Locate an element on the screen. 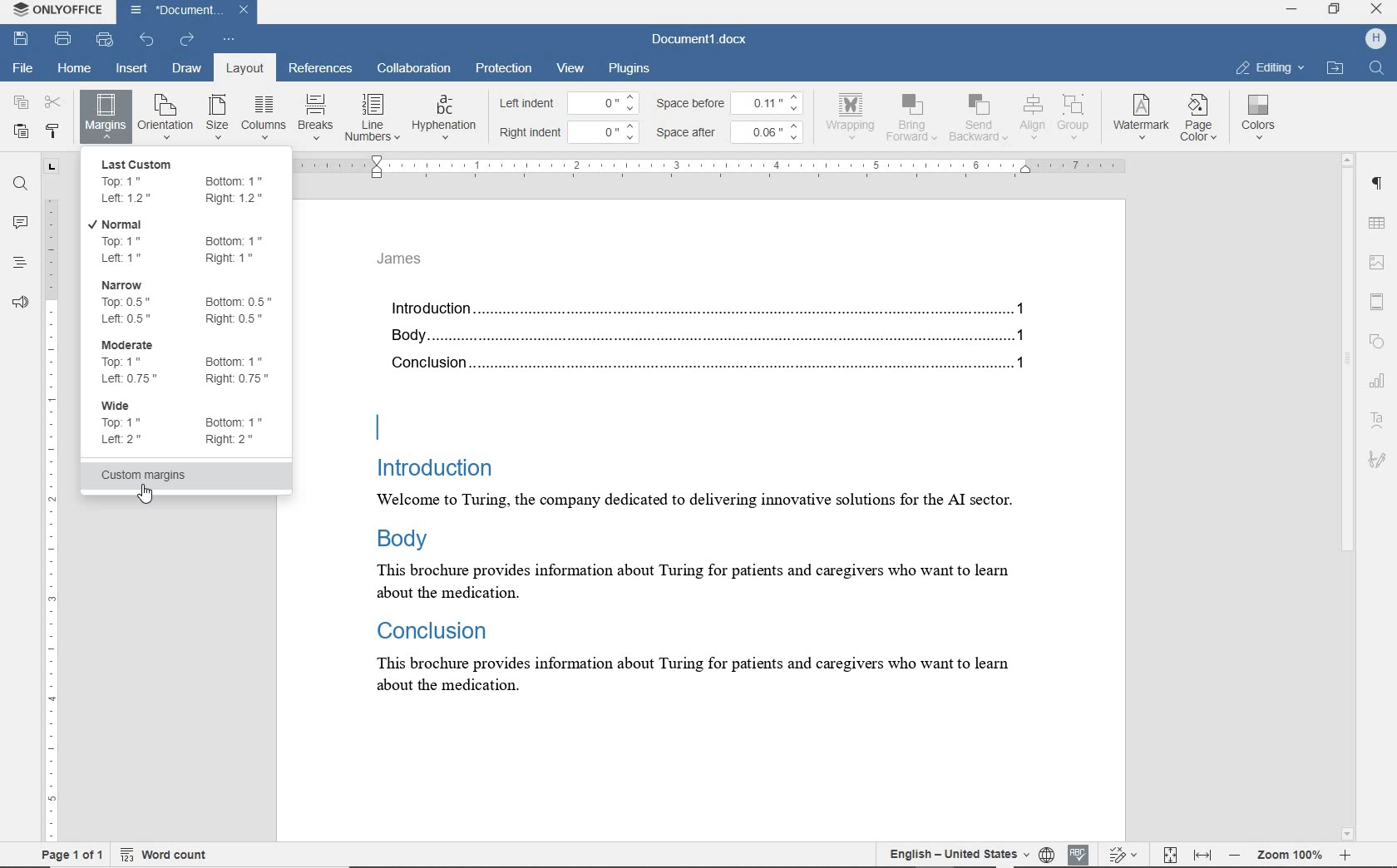 The height and width of the screenshot is (868, 1397). Last Custom is located at coordinates (191, 180).